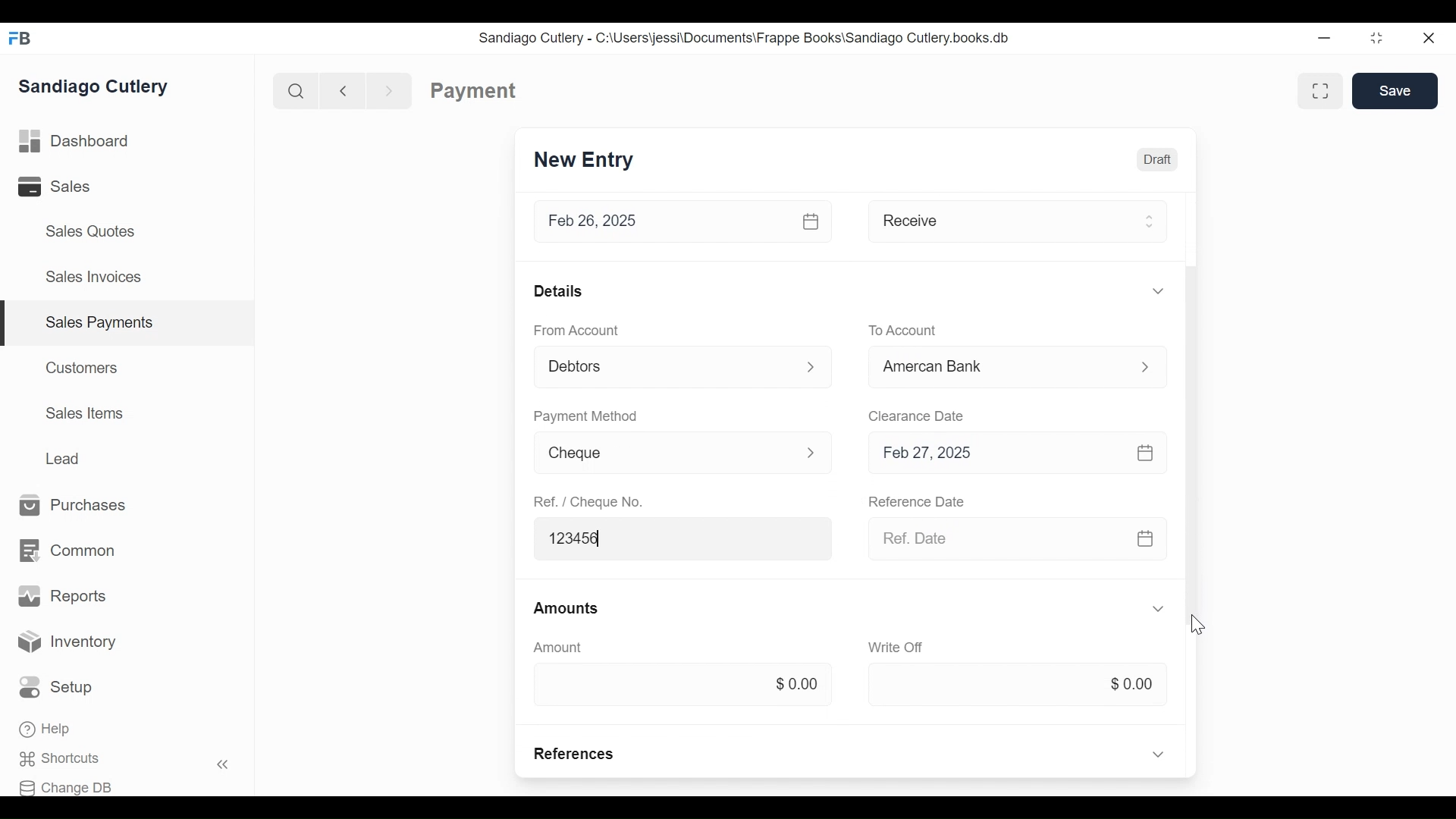 The width and height of the screenshot is (1456, 819). What do you see at coordinates (664, 365) in the screenshot?
I see `Debtors` at bounding box center [664, 365].